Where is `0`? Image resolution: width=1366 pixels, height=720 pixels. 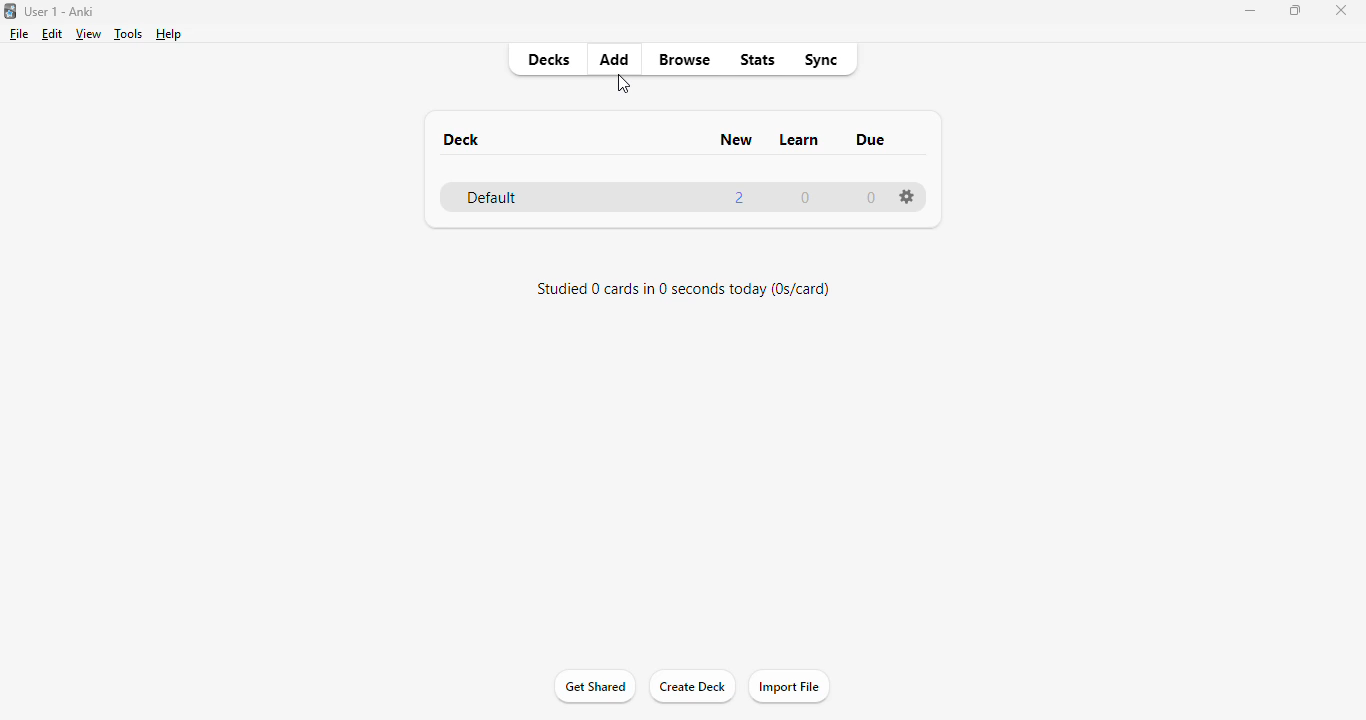 0 is located at coordinates (806, 198).